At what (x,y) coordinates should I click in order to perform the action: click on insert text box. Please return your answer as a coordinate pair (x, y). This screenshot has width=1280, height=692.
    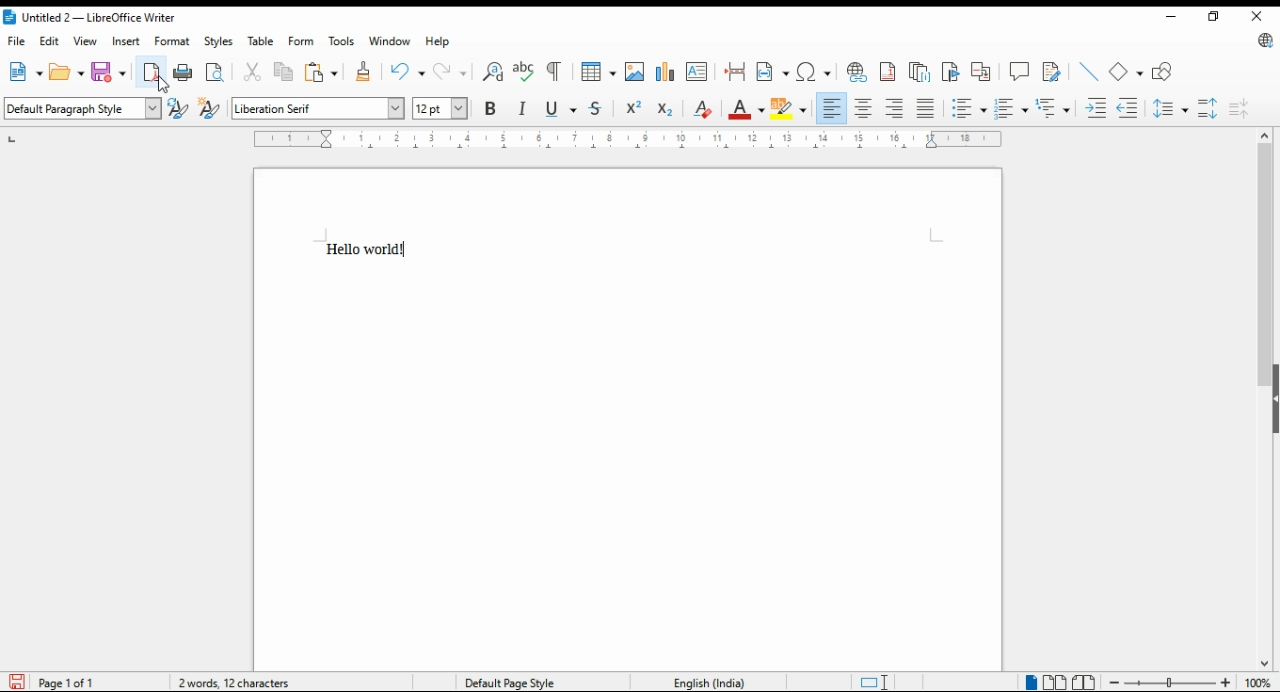
    Looking at the image, I should click on (697, 72).